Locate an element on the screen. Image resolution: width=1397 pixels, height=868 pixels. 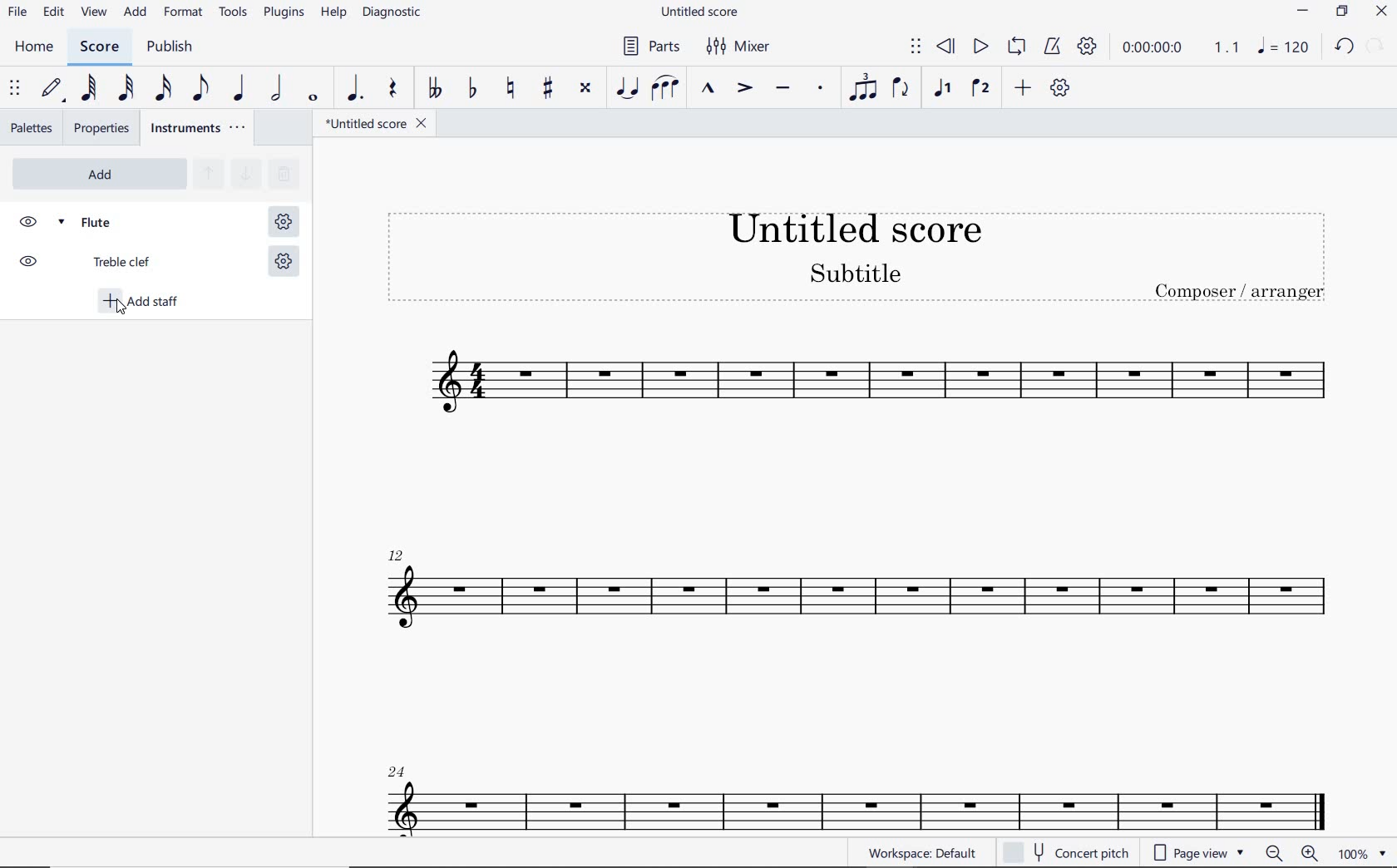
ADD is located at coordinates (135, 14).